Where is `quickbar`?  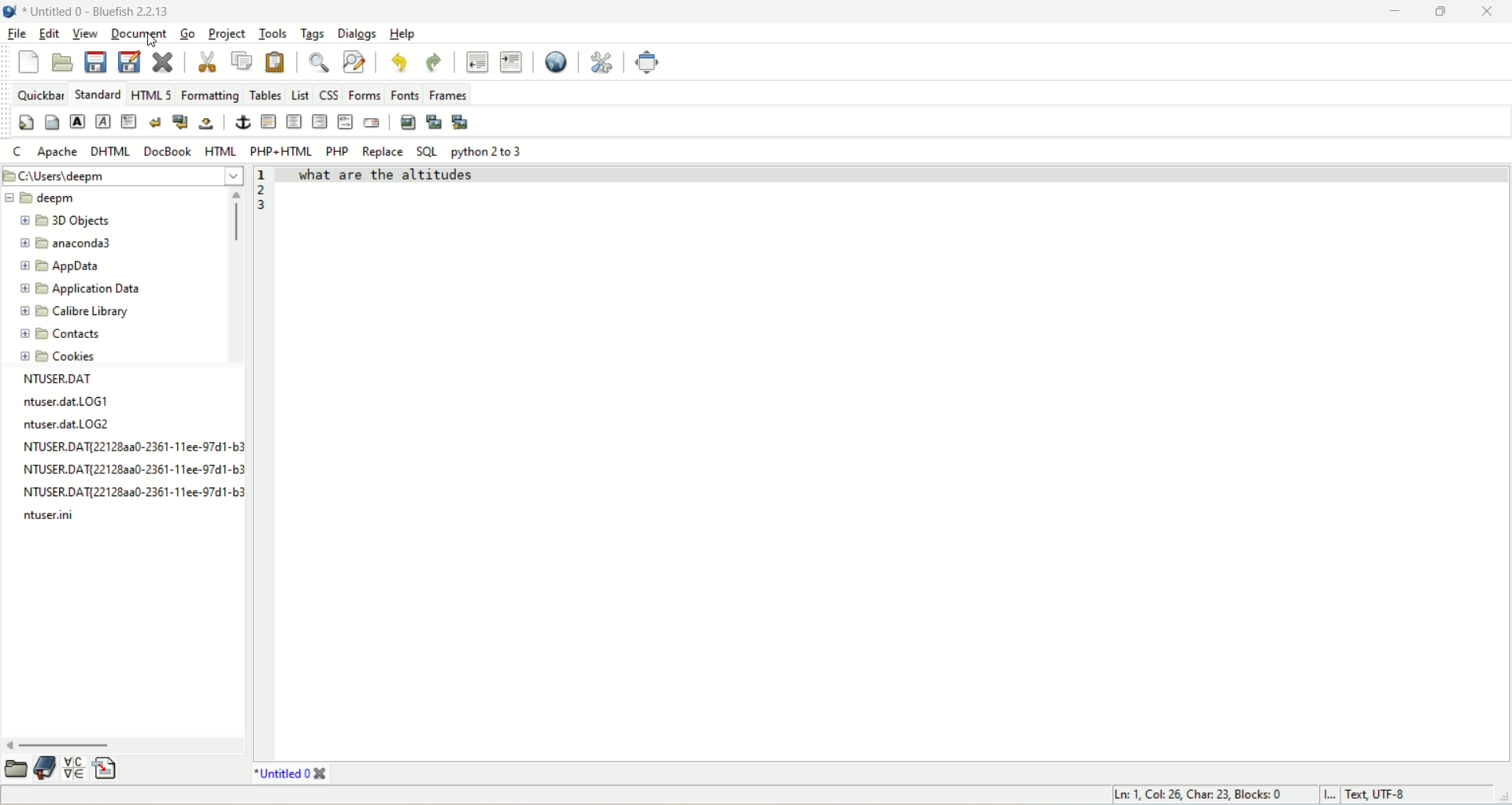
quickbar is located at coordinates (42, 95).